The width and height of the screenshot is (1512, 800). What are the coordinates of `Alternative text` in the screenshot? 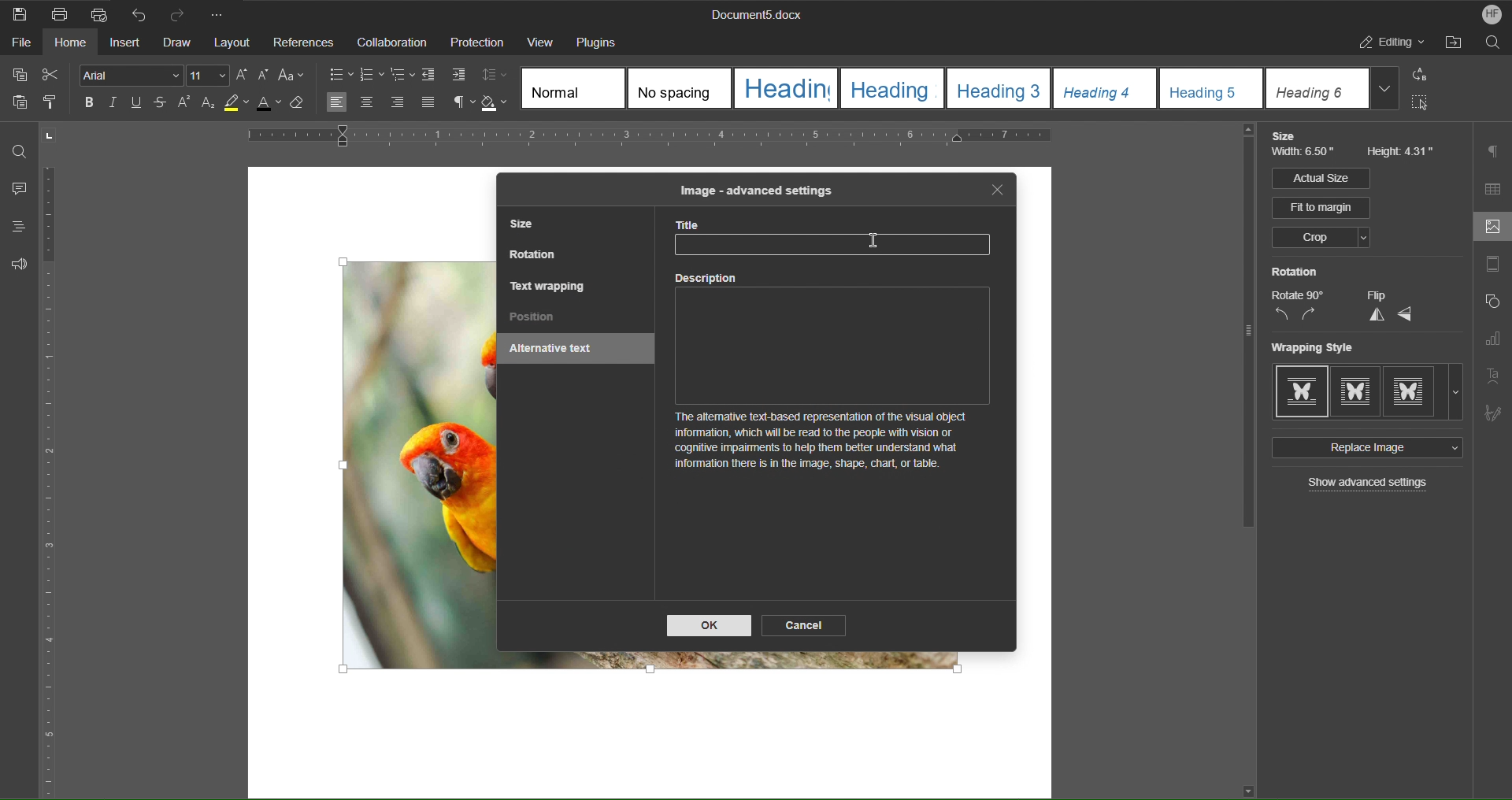 It's located at (557, 350).